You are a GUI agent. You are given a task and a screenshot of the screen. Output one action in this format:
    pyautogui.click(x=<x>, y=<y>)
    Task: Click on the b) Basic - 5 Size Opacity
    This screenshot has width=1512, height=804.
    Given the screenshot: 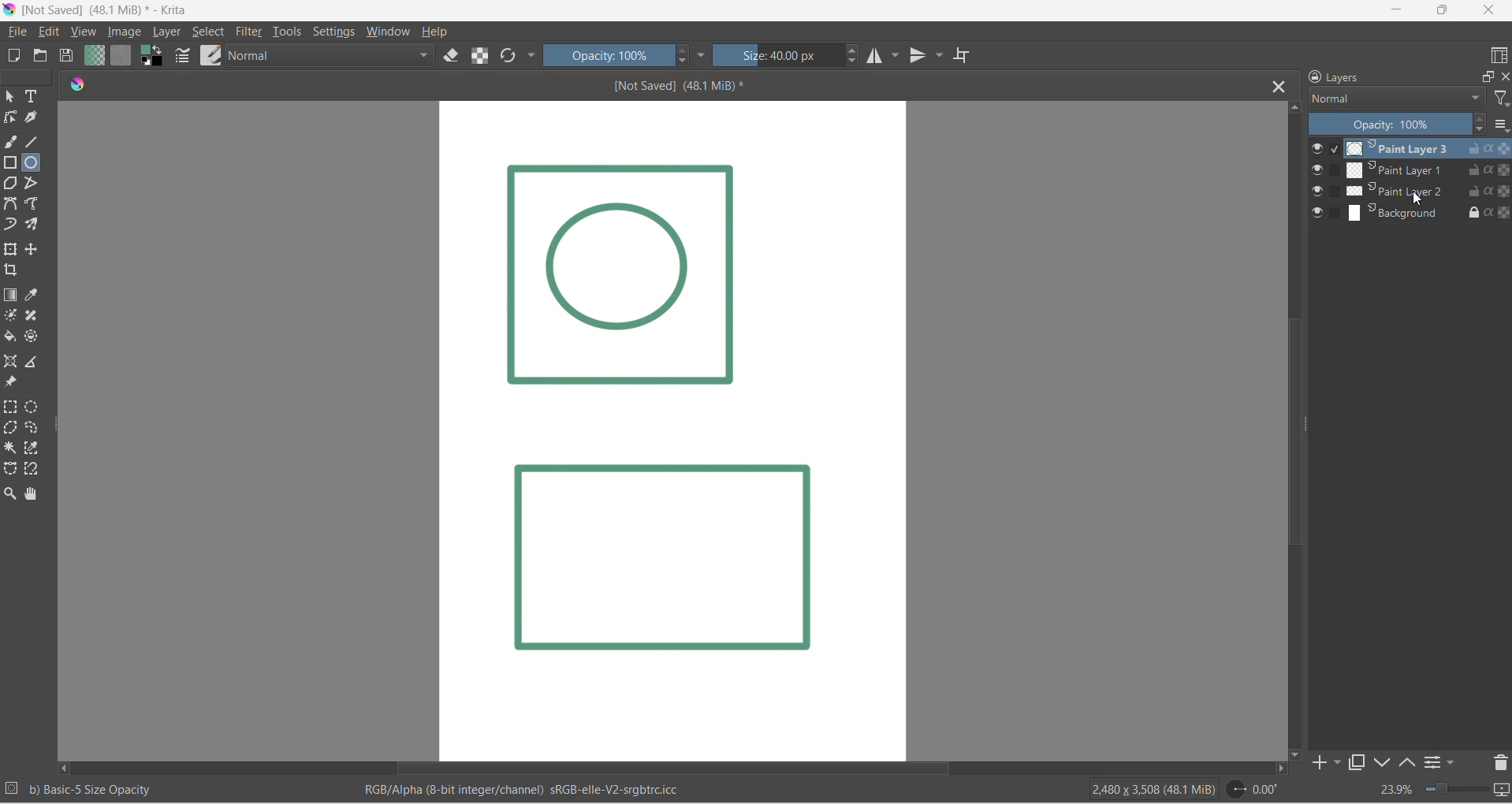 What is the action you would take?
    pyautogui.click(x=99, y=791)
    